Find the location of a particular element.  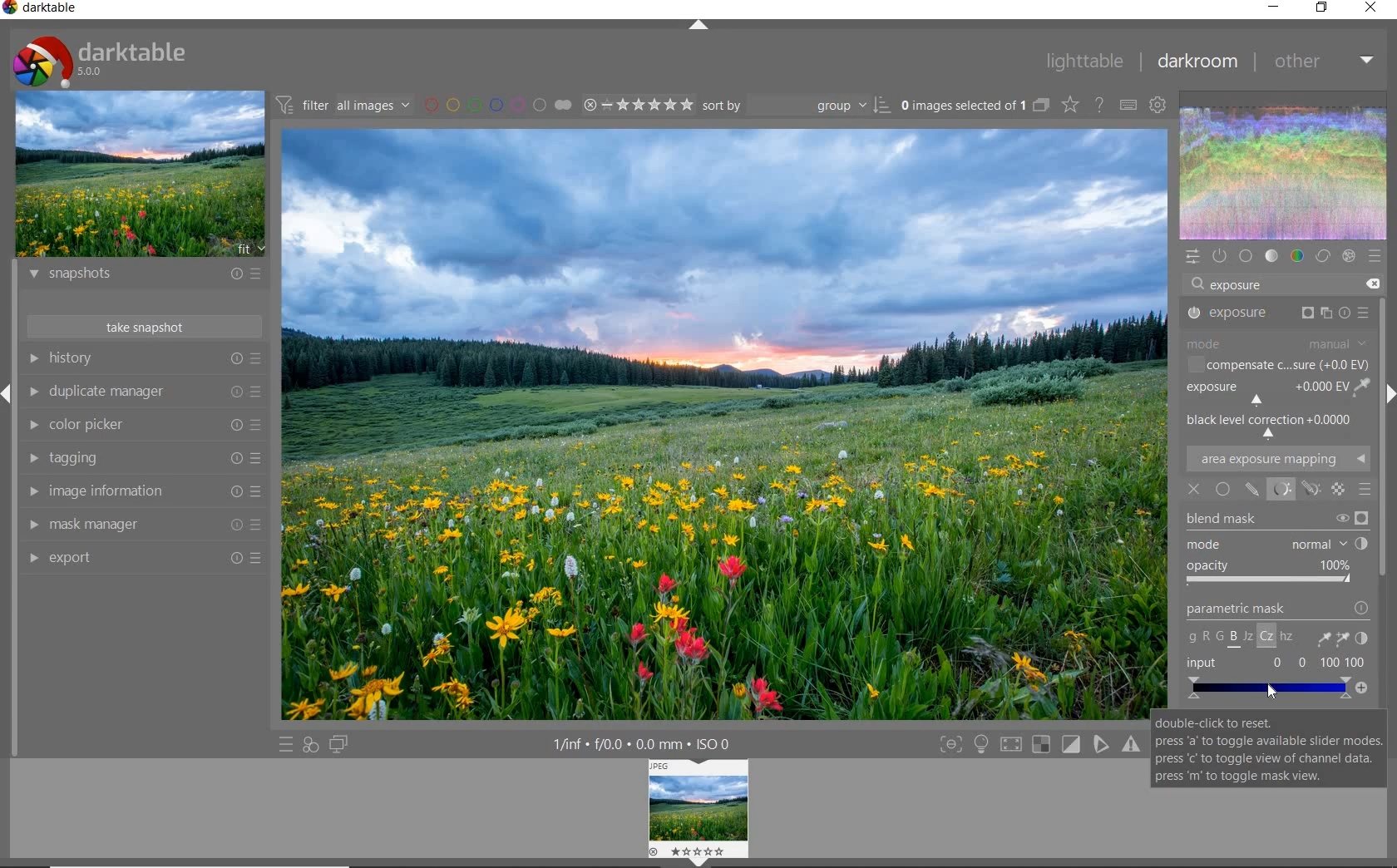

MODE is located at coordinates (1279, 342).